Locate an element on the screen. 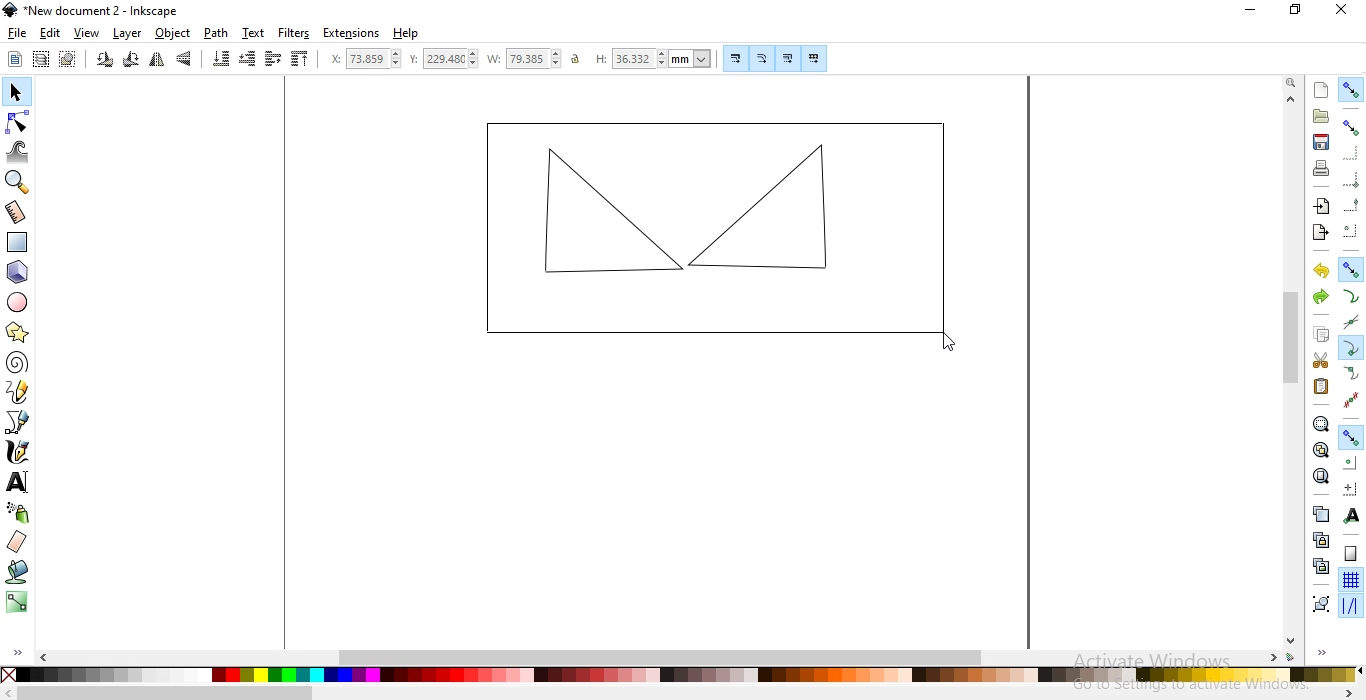 Image resolution: width=1366 pixels, height=700 pixels. cursor is located at coordinates (948, 342).